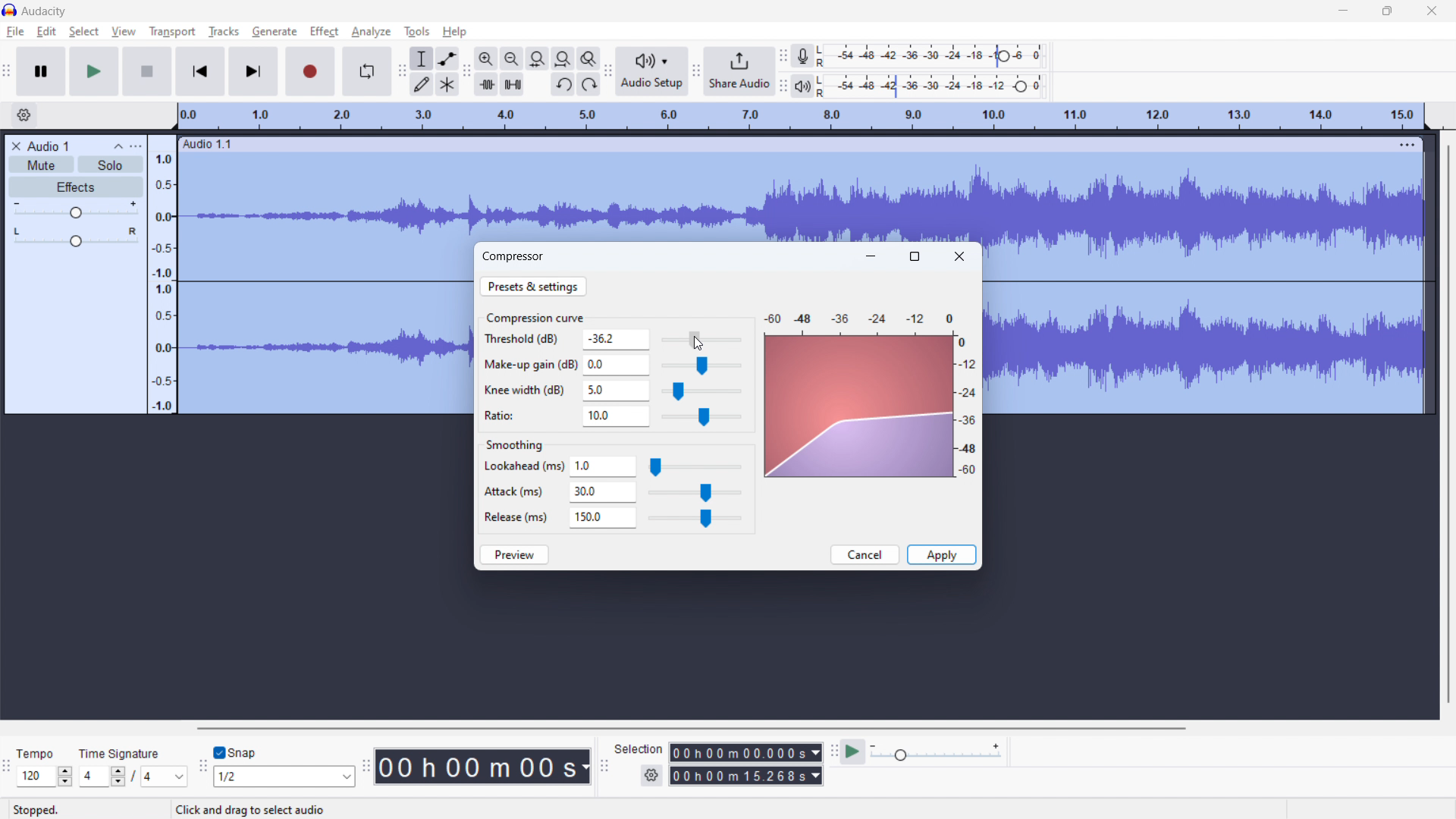 The height and width of the screenshot is (819, 1456). I want to click on  Threshold (dB), so click(528, 340).